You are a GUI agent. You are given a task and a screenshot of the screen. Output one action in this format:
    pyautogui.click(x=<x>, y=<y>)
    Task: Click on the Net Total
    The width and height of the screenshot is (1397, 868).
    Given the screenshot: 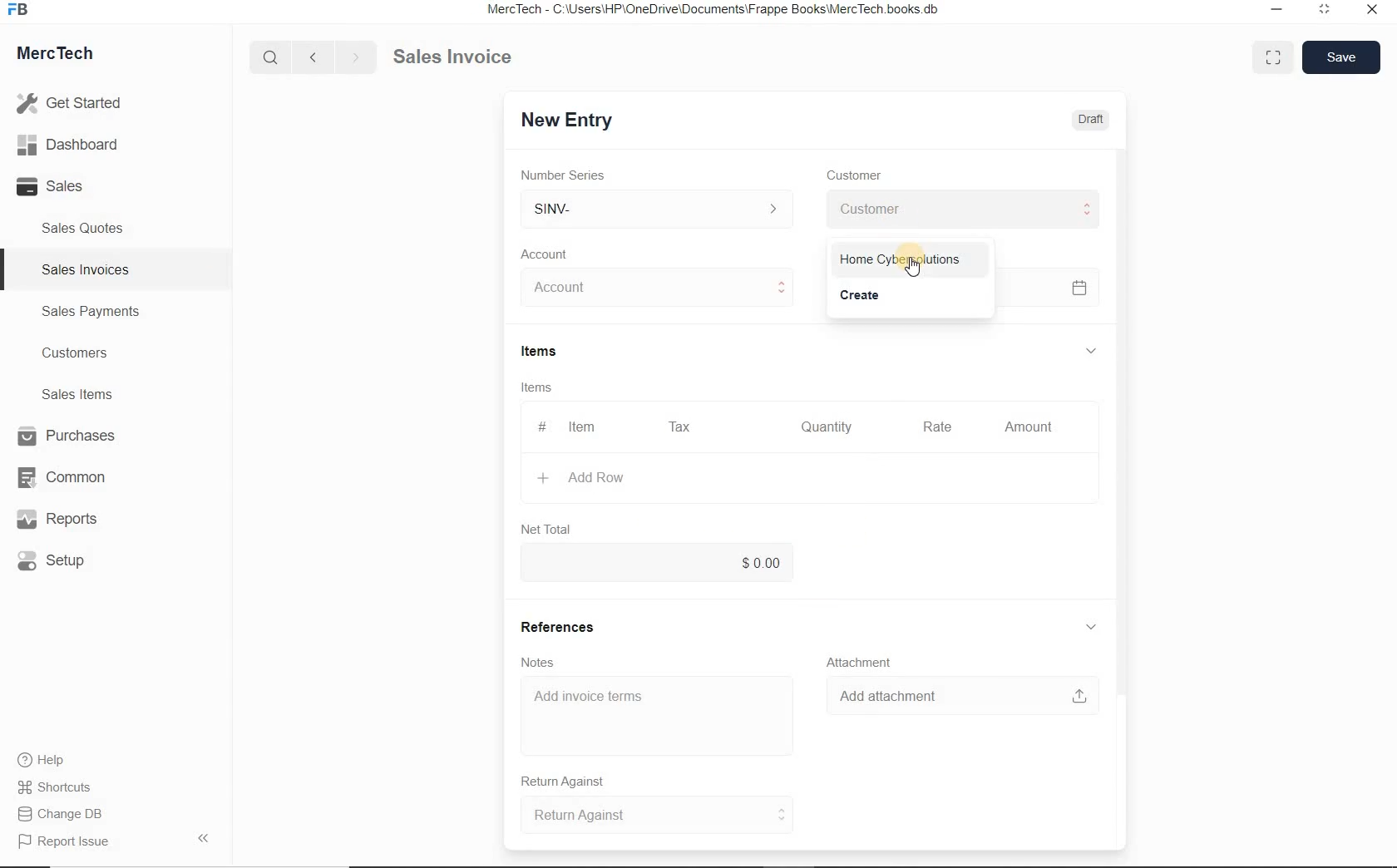 What is the action you would take?
    pyautogui.click(x=548, y=529)
    